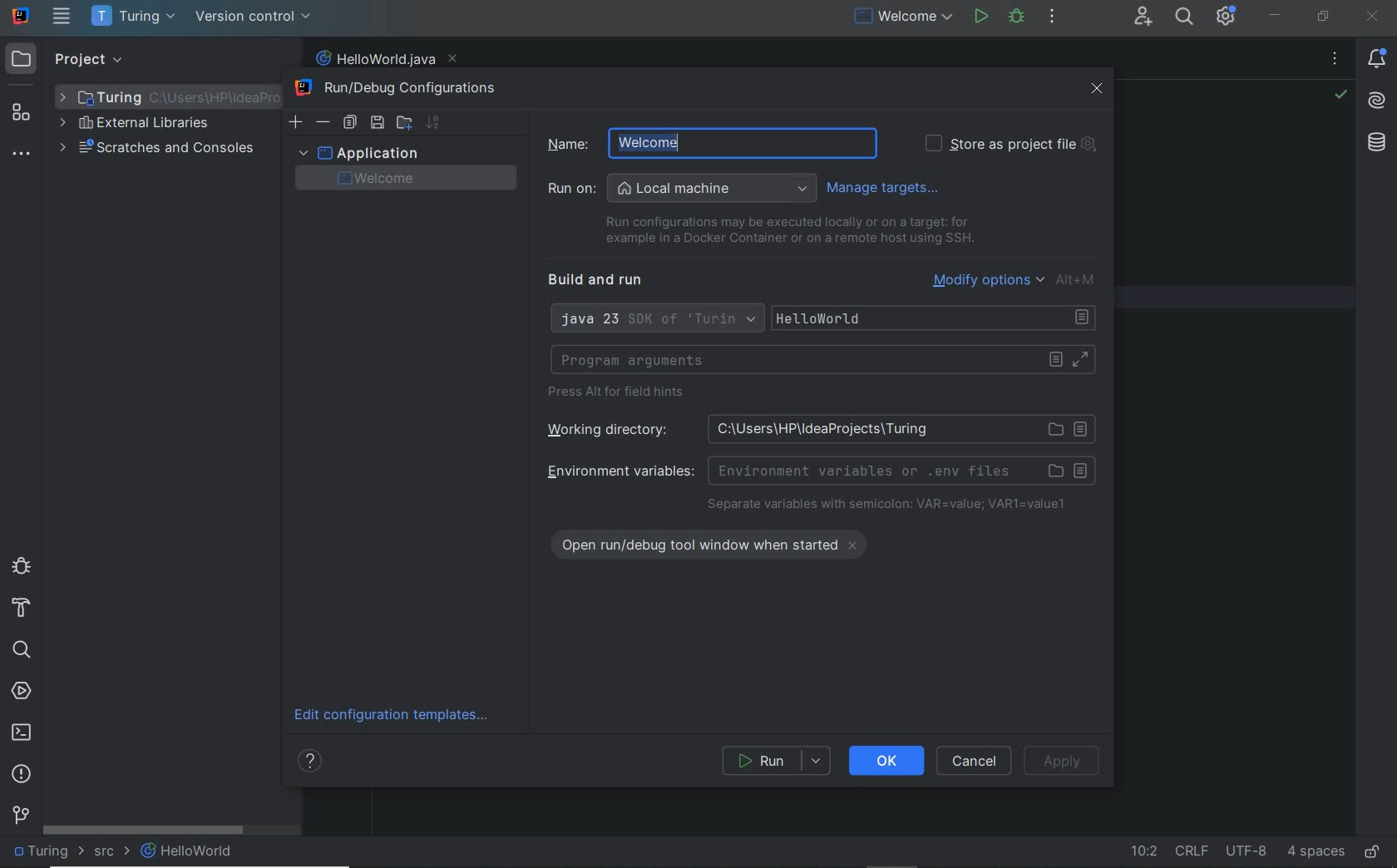 The width and height of the screenshot is (1397, 868). What do you see at coordinates (323, 122) in the screenshot?
I see `REMOVE CONFIGURATION` at bounding box center [323, 122].